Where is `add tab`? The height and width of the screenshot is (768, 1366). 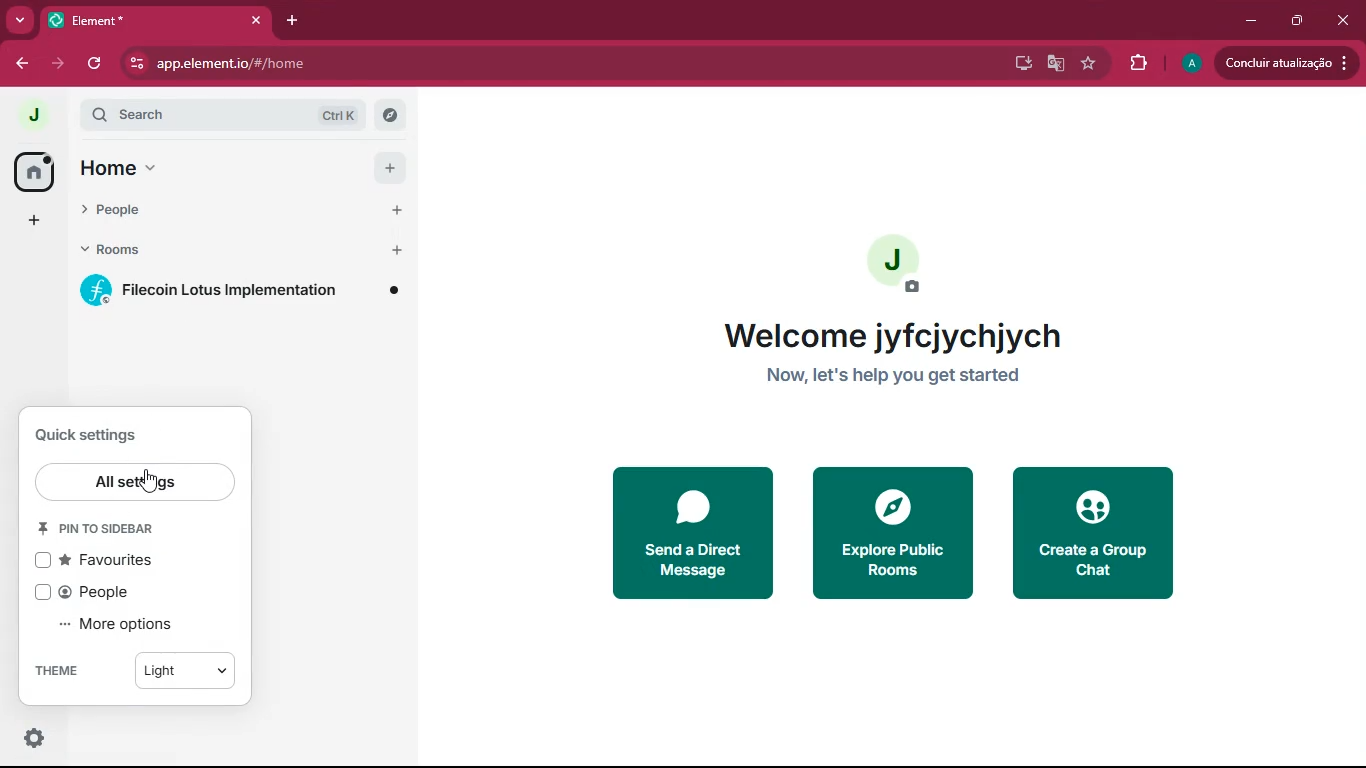 add tab is located at coordinates (293, 22).